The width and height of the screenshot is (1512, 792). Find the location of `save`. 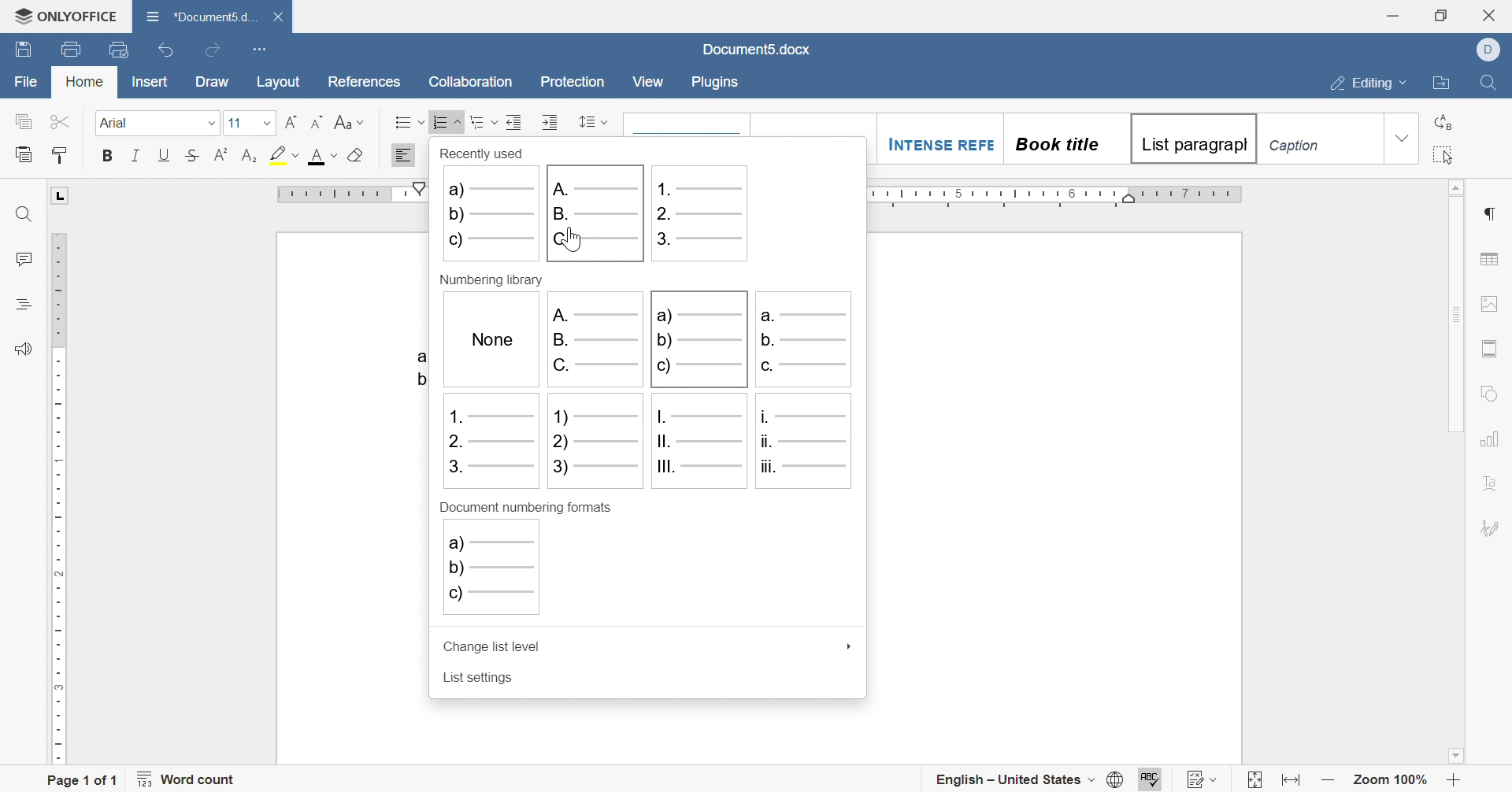

save is located at coordinates (23, 51).